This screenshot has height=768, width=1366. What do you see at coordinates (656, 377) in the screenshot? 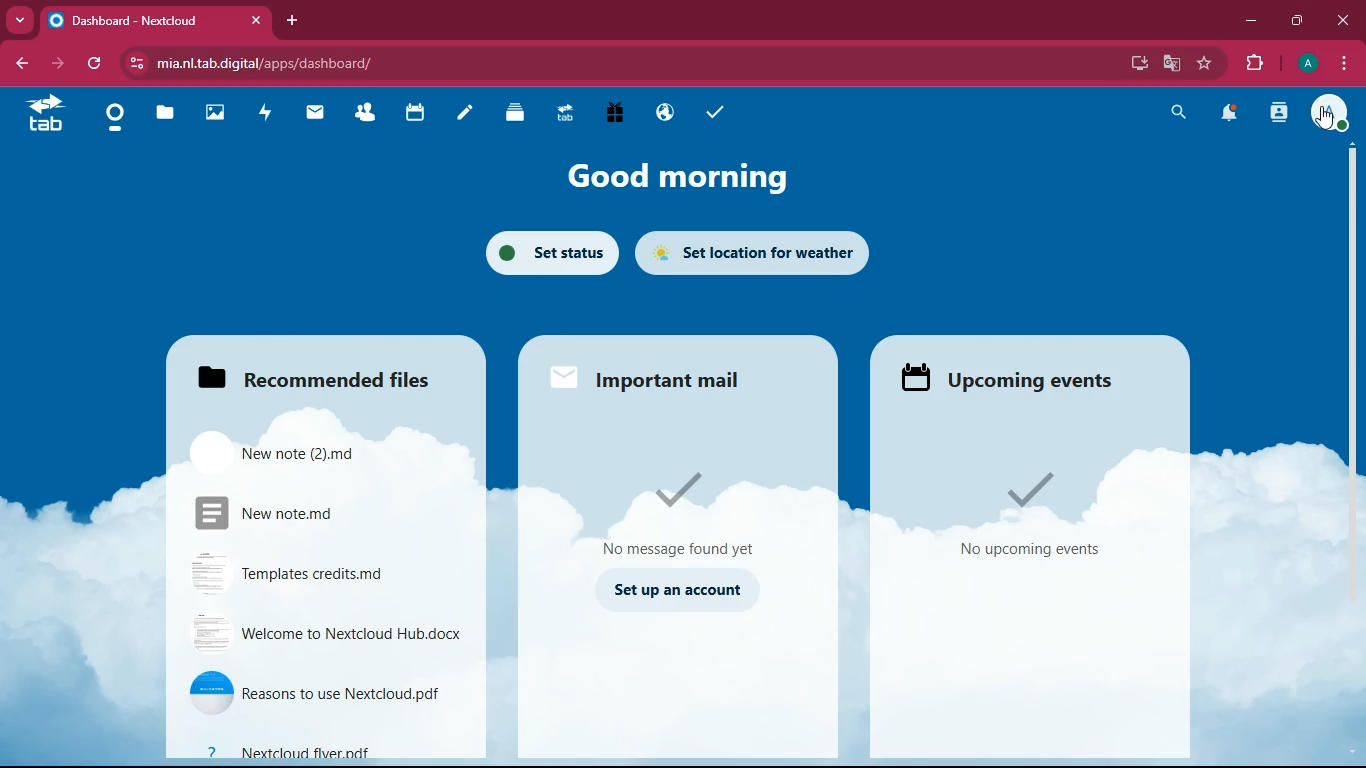
I see `mail` at bounding box center [656, 377].